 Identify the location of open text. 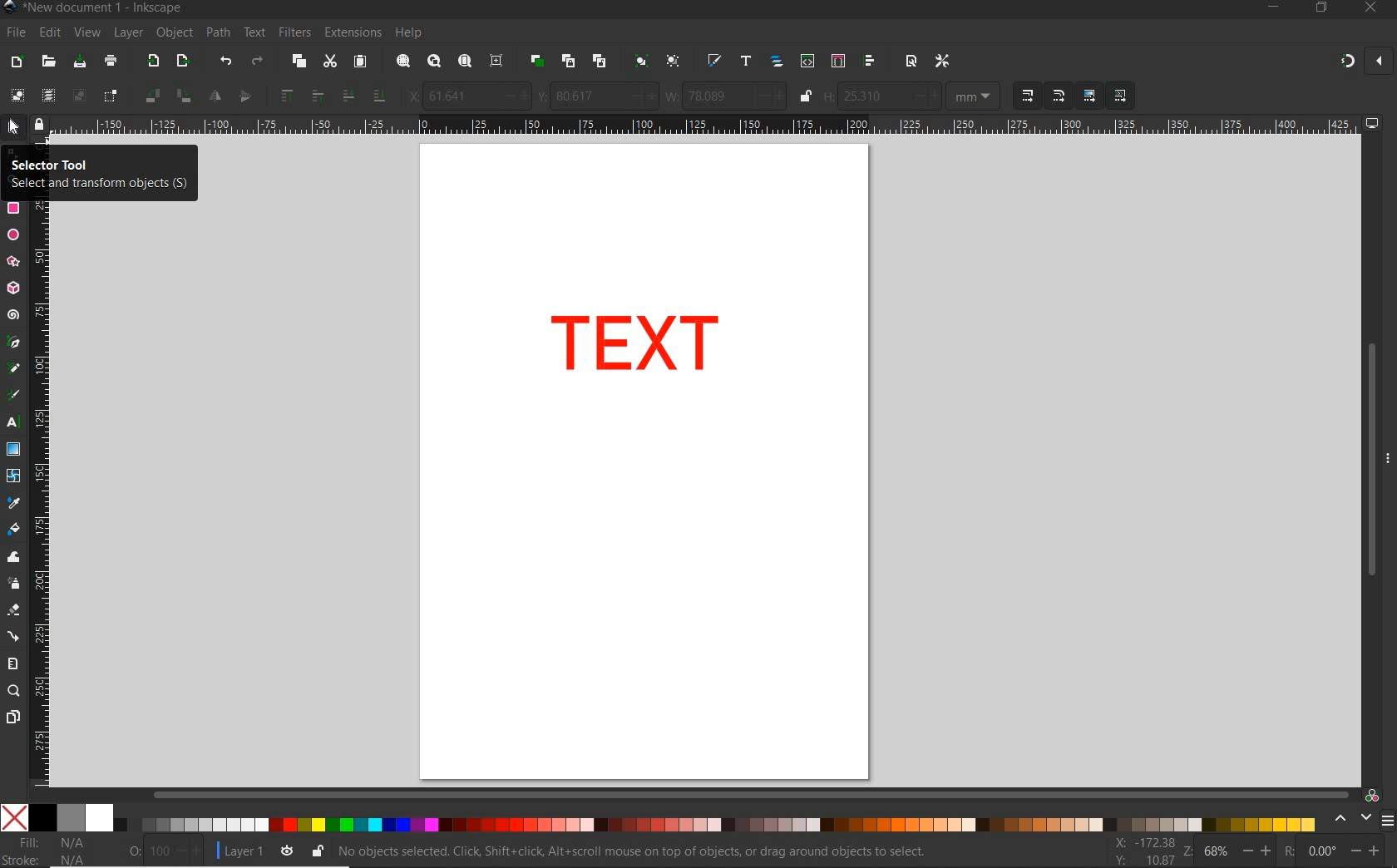
(746, 62).